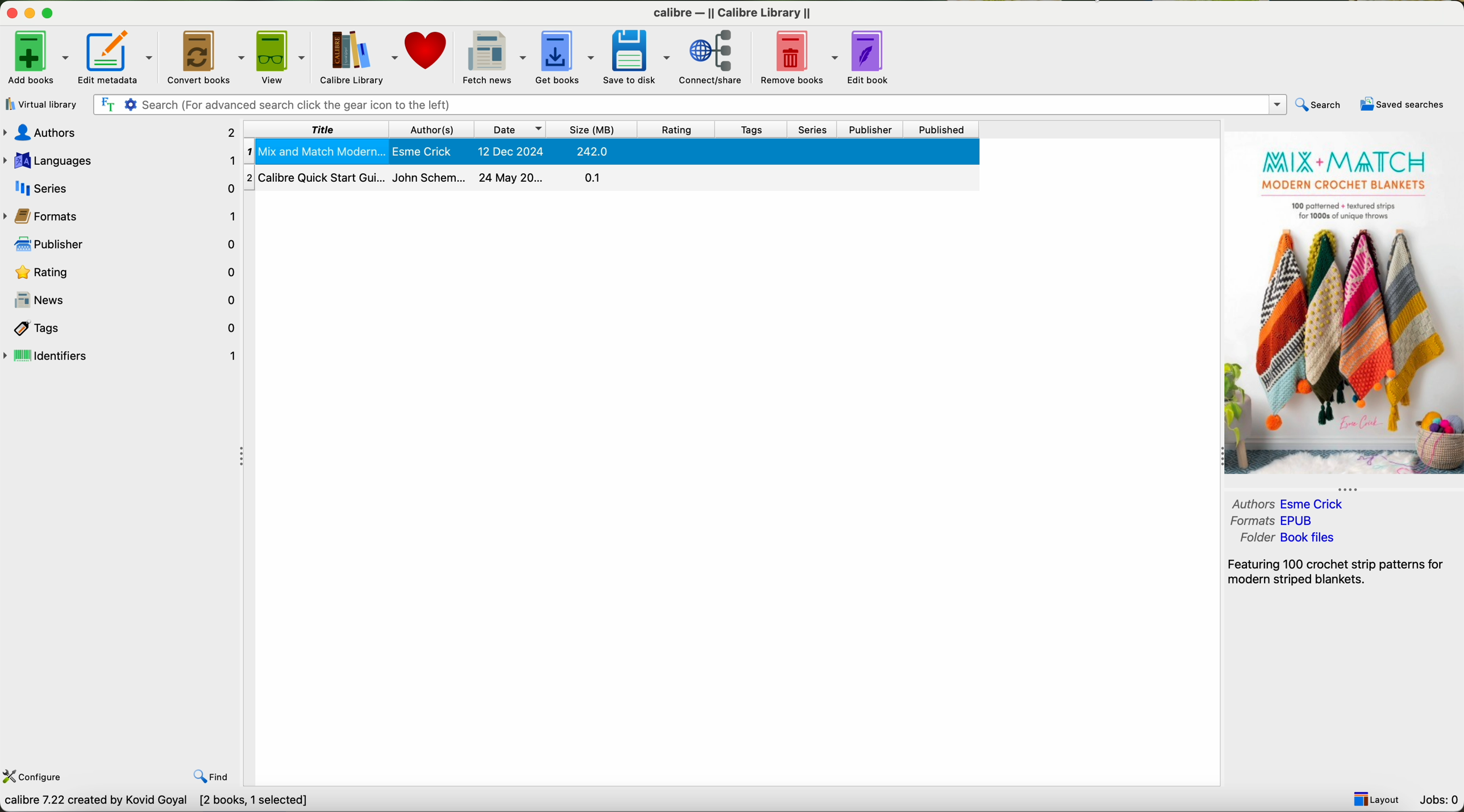  What do you see at coordinates (1374, 799) in the screenshot?
I see `layout` at bounding box center [1374, 799].